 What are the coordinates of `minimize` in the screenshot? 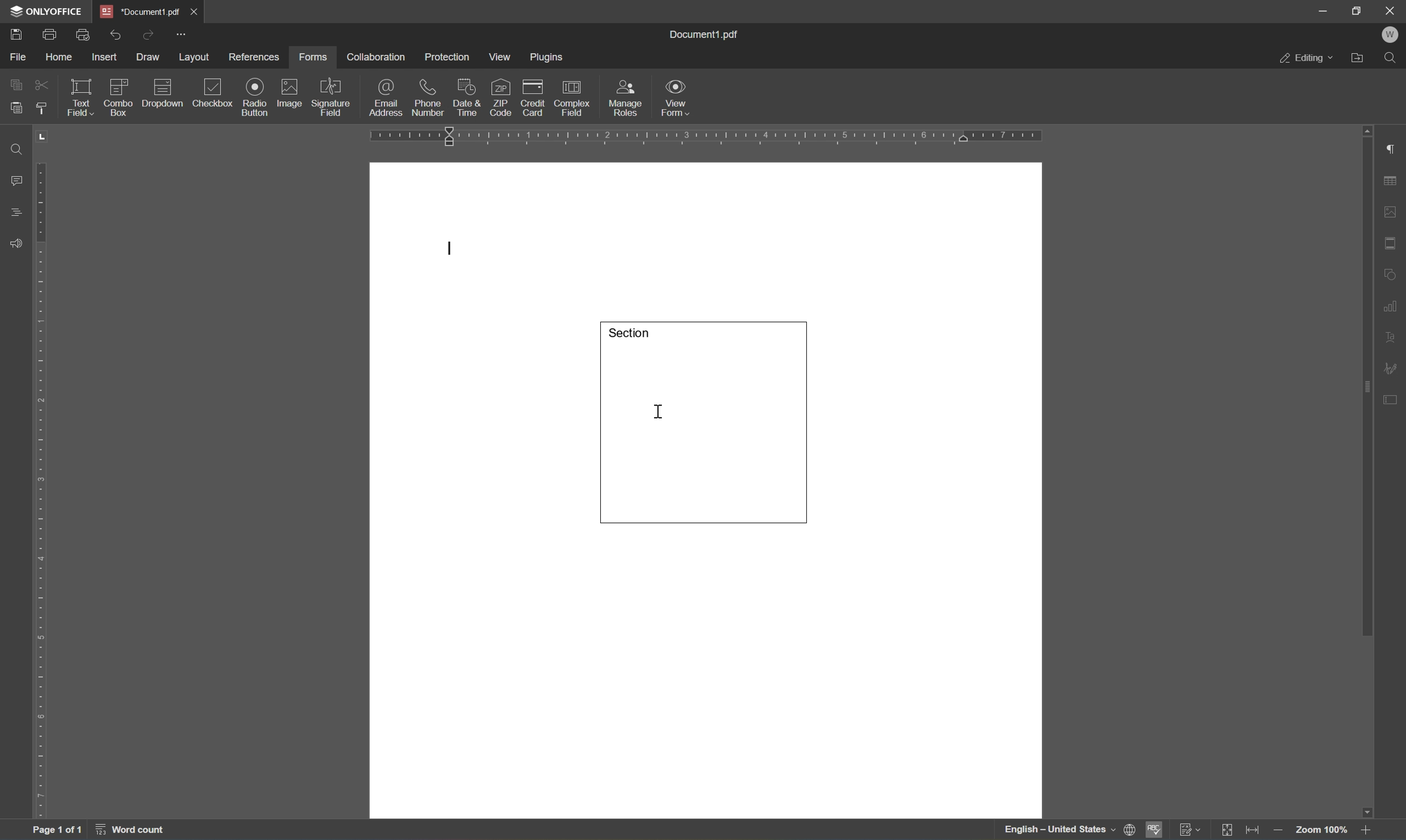 It's located at (1323, 10).